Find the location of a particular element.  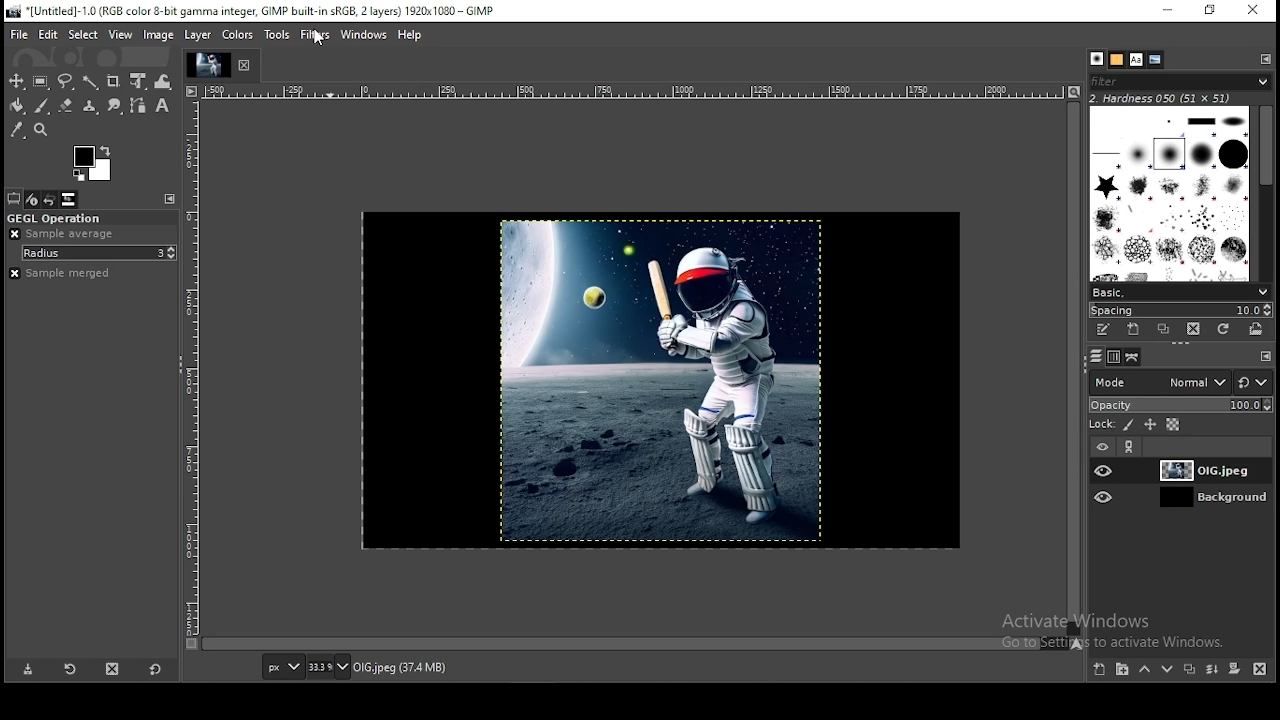

configure this tab is located at coordinates (170, 199).